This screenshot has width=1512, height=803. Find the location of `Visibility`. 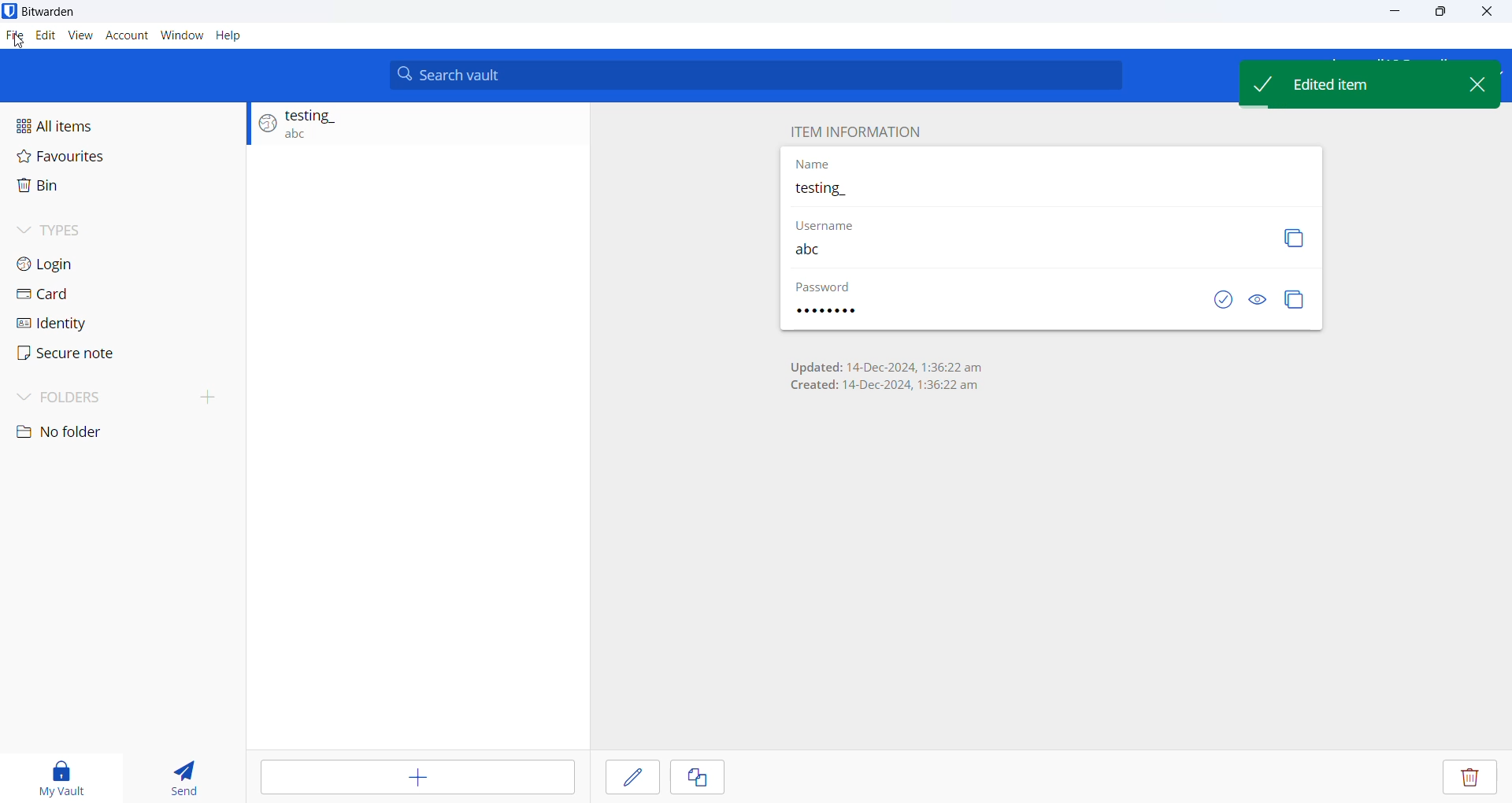

Visibility is located at coordinates (1258, 301).